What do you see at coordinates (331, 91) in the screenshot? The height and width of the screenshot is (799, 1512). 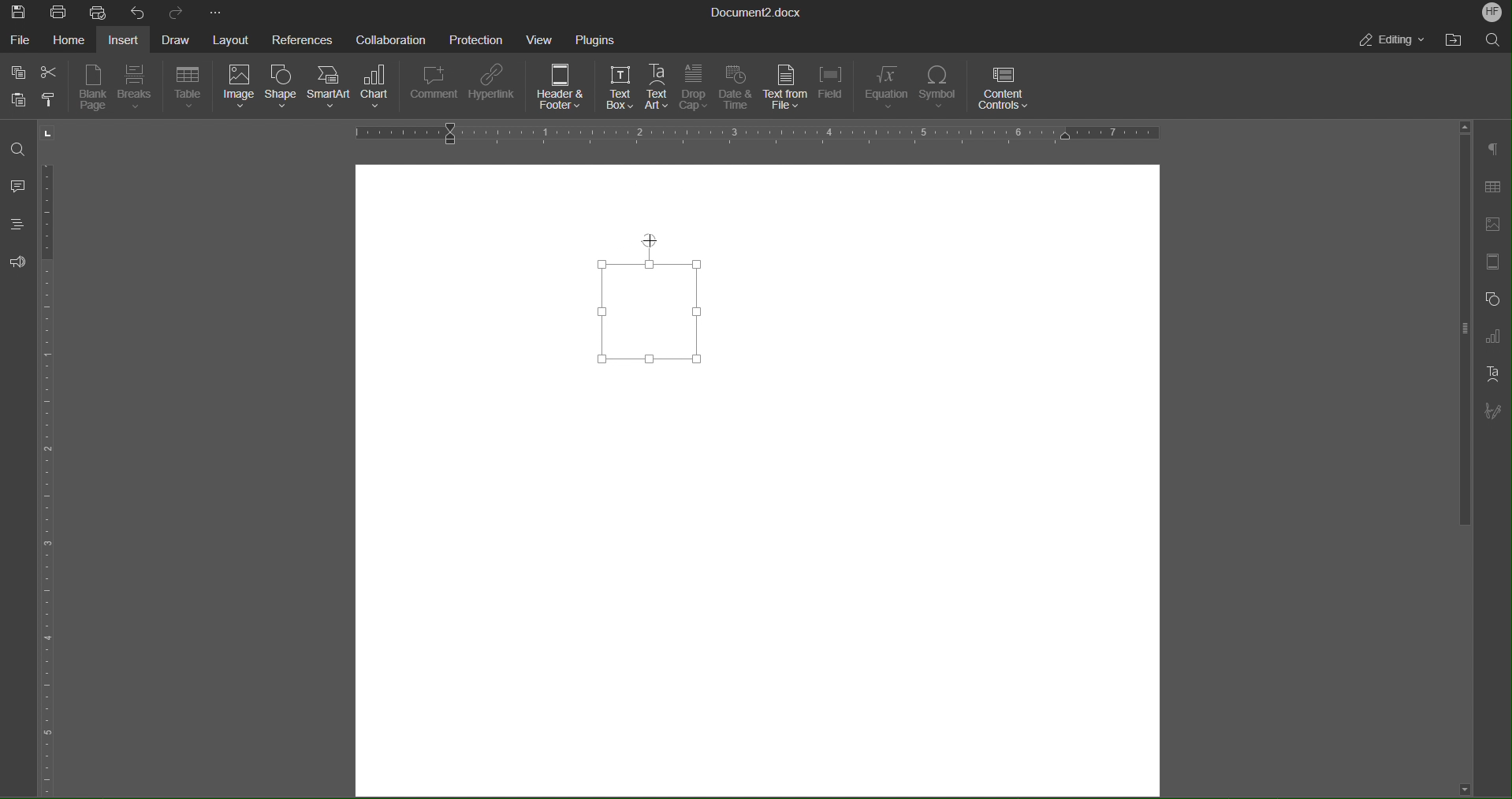 I see `SmartArt` at bounding box center [331, 91].